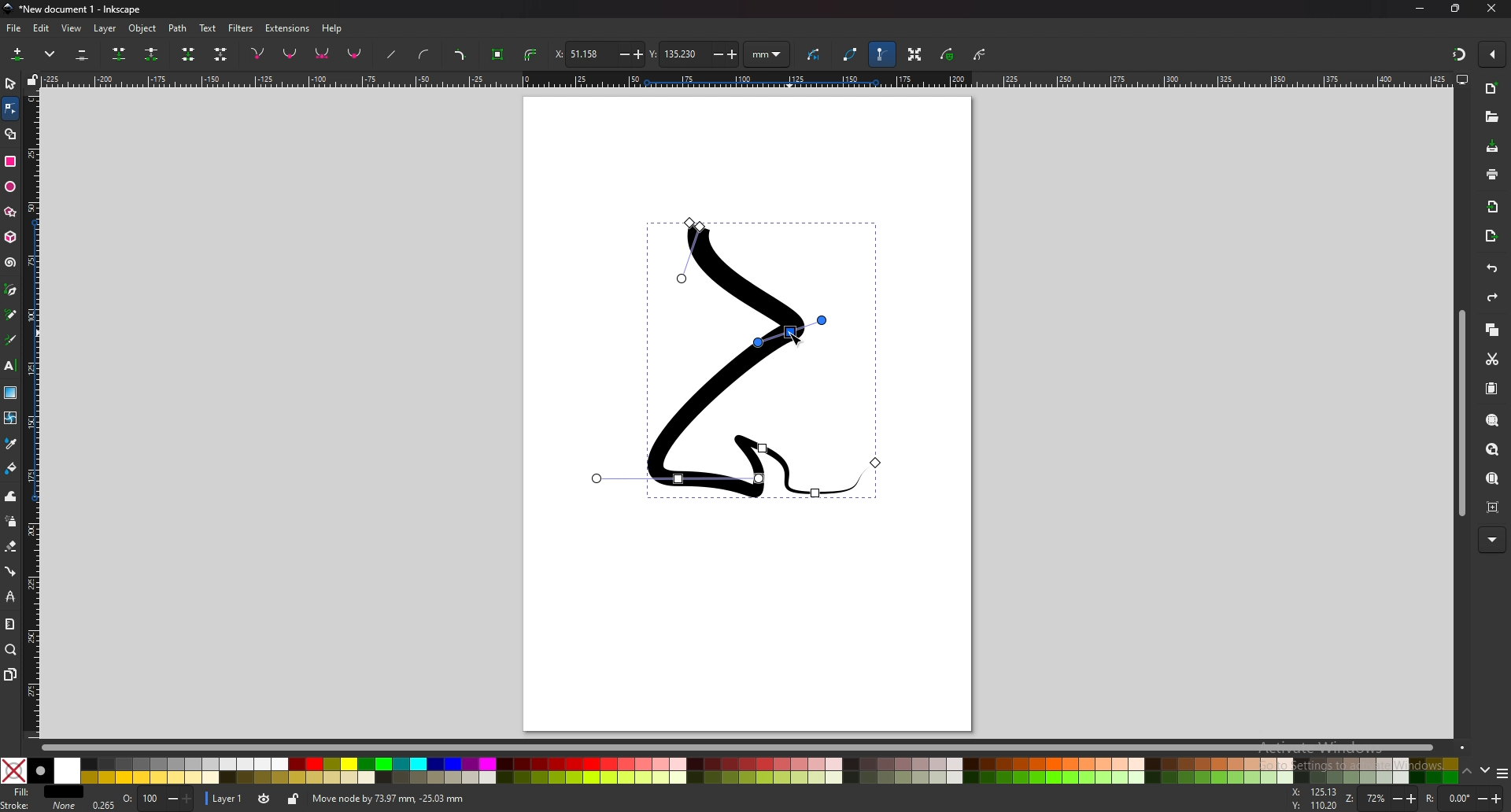 The width and height of the screenshot is (1511, 812). Describe the element at coordinates (225, 797) in the screenshot. I see `layer` at that location.